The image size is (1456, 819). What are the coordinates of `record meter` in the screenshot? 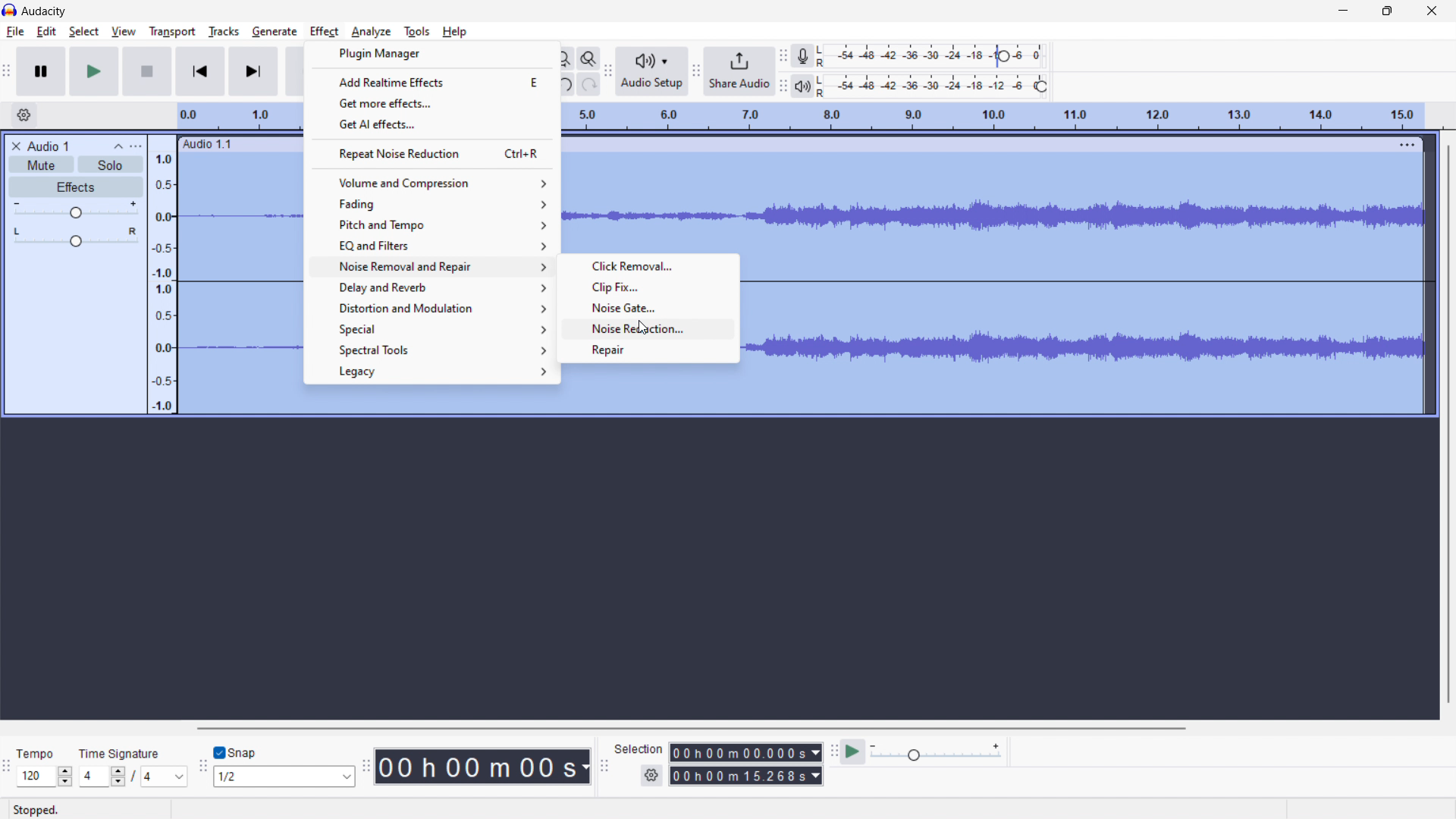 It's located at (935, 55).